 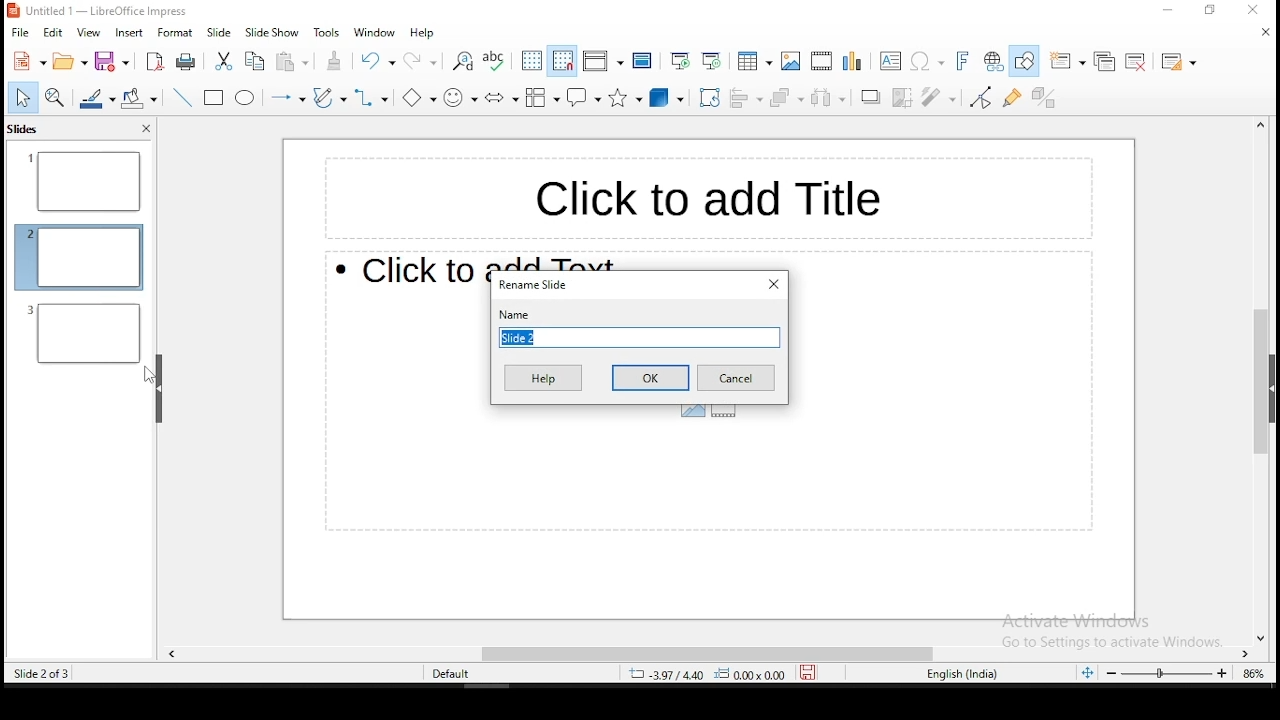 What do you see at coordinates (185, 60) in the screenshot?
I see `print` at bounding box center [185, 60].